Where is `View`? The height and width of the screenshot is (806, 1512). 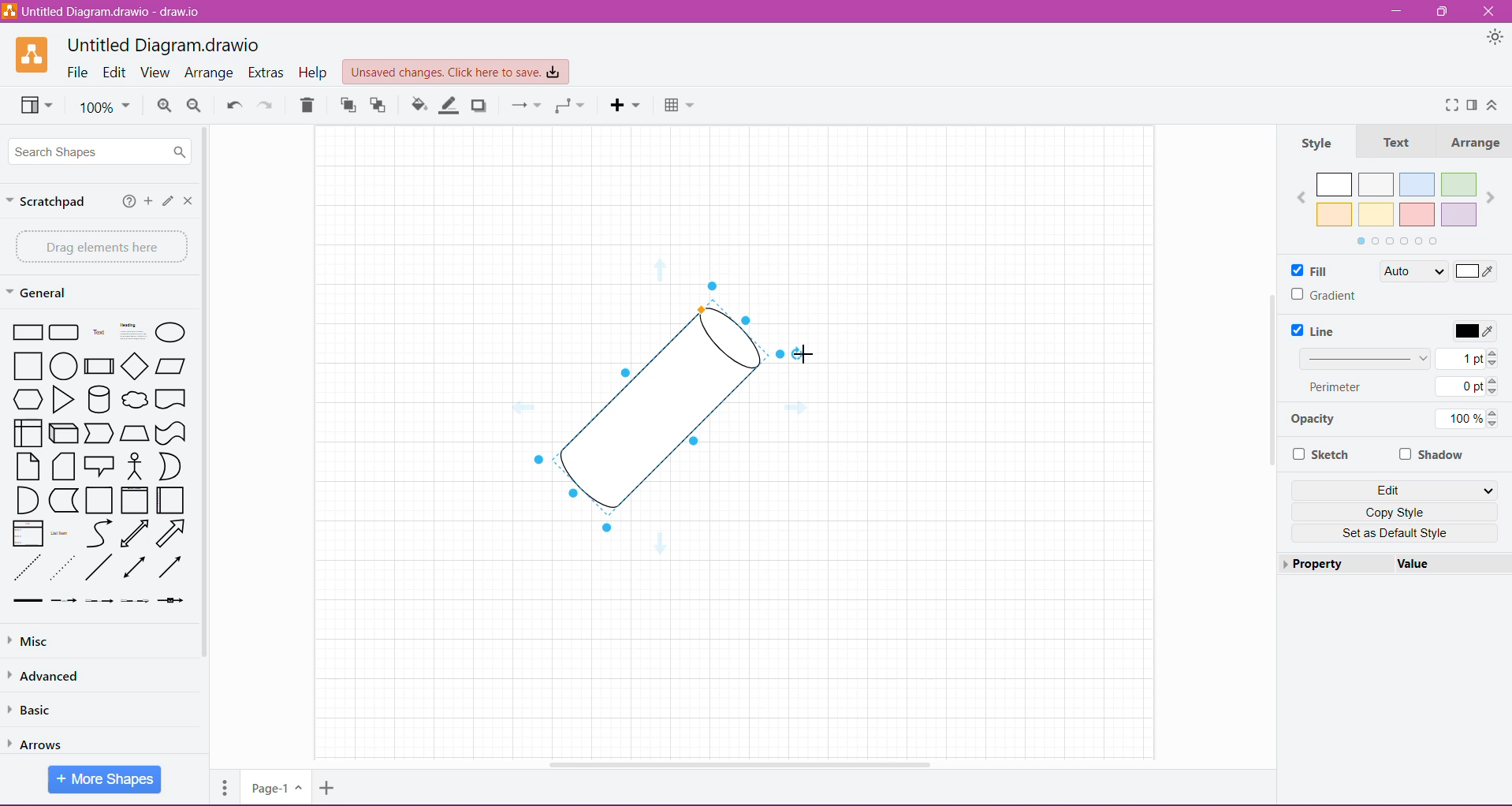
View is located at coordinates (157, 73).